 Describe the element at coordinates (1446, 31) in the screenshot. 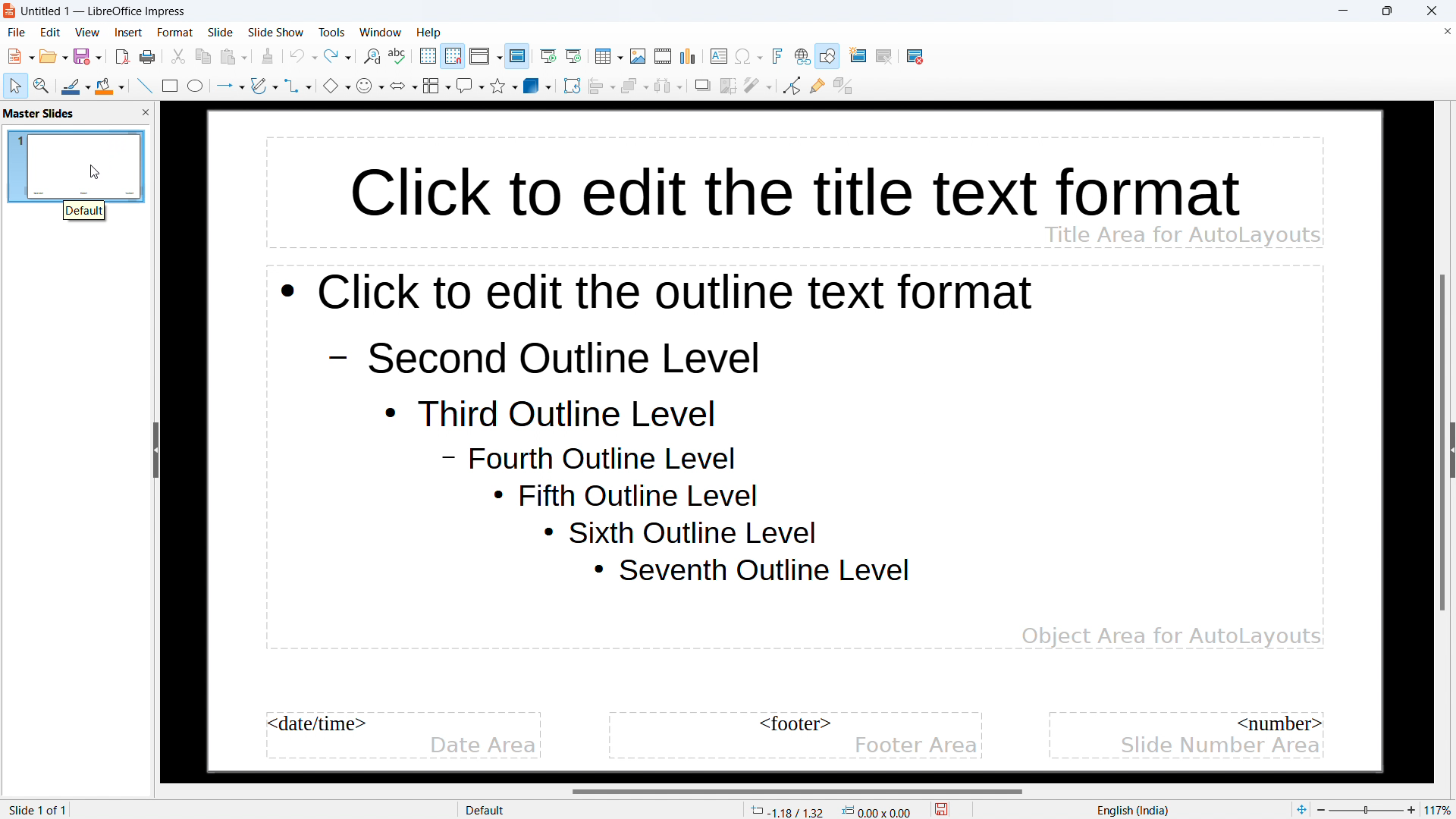

I see `close document` at that location.